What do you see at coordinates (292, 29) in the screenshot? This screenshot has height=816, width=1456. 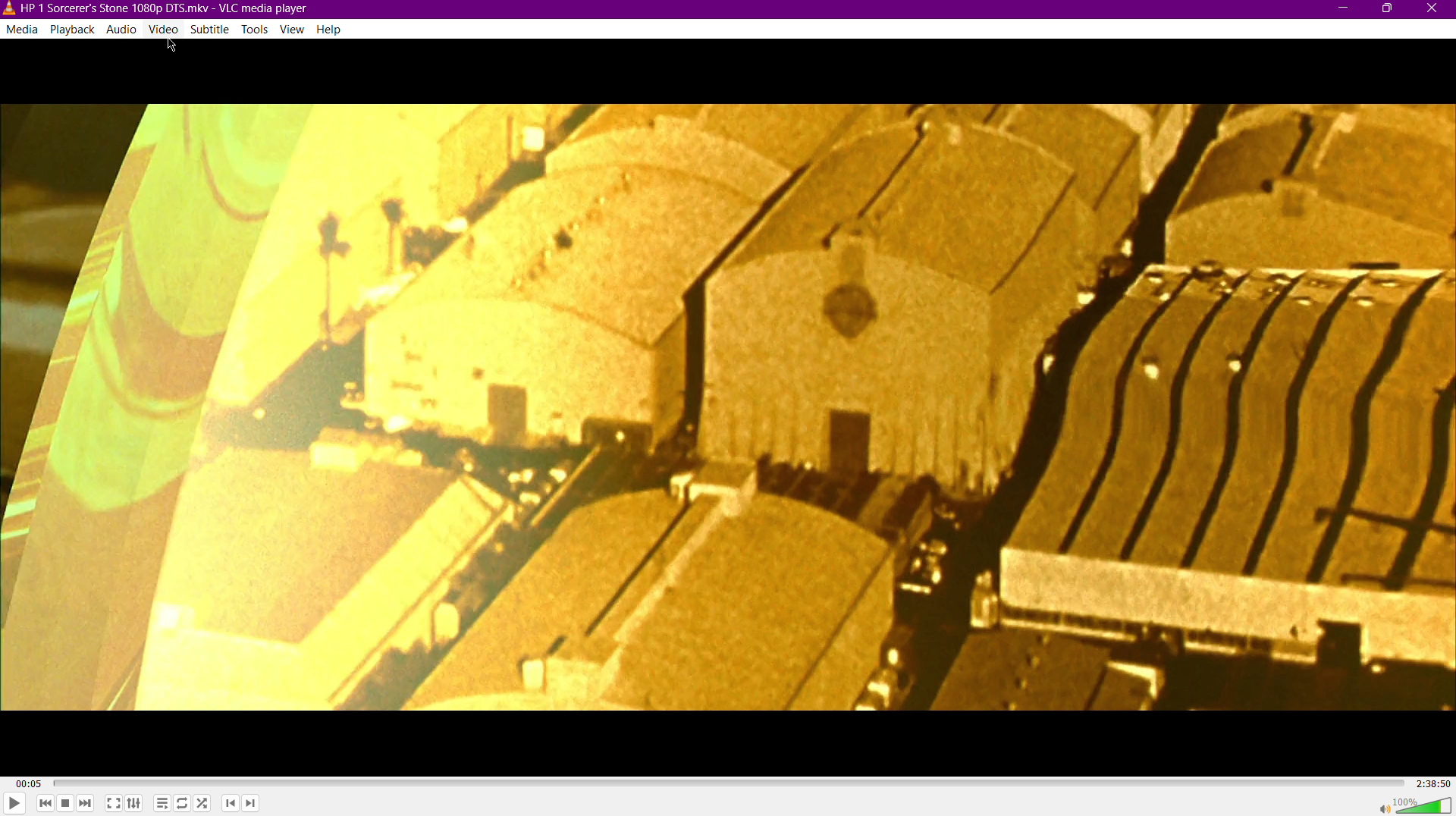 I see `View` at bounding box center [292, 29].